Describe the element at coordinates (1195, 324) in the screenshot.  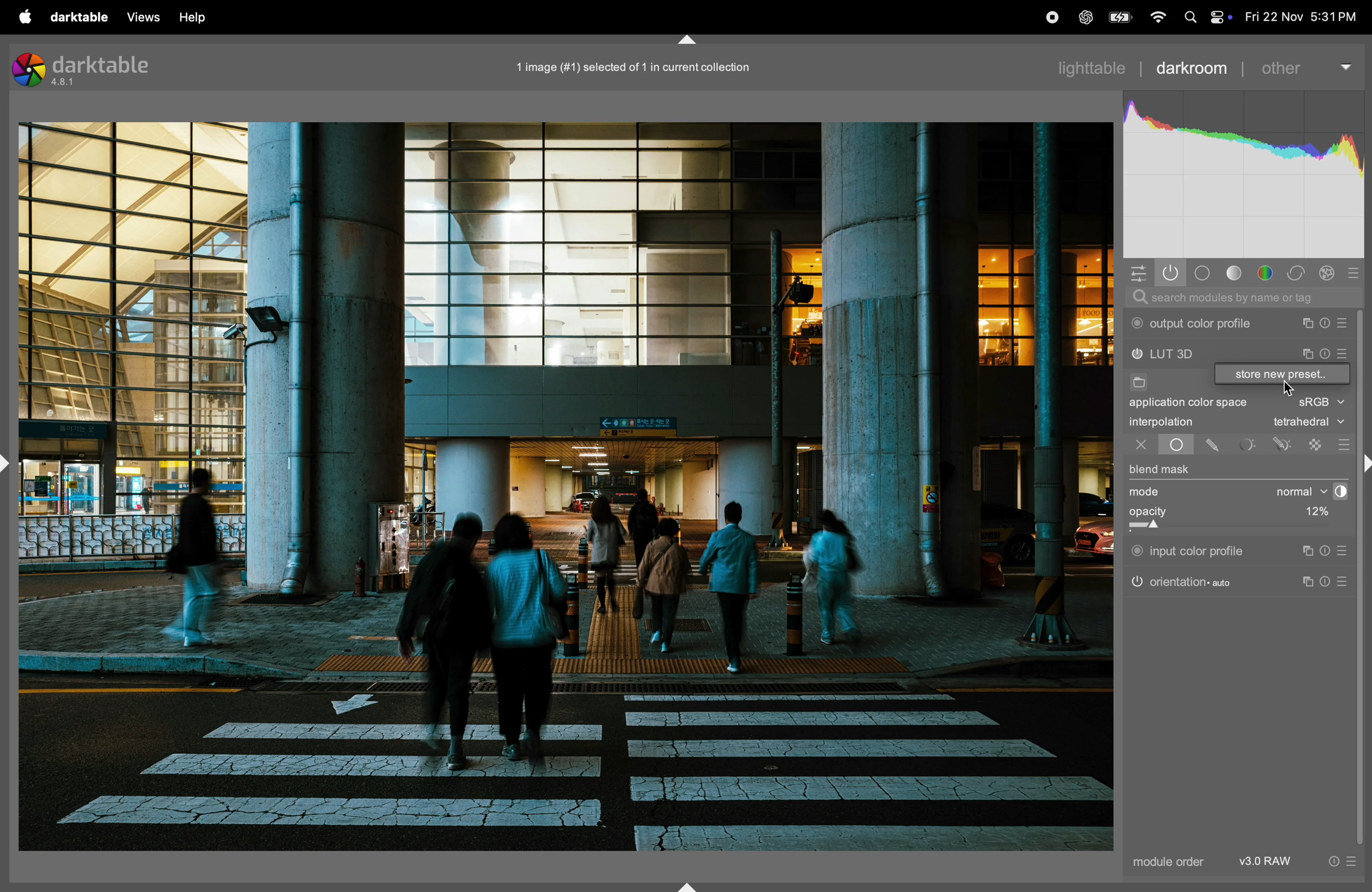
I see `output color profile` at that location.